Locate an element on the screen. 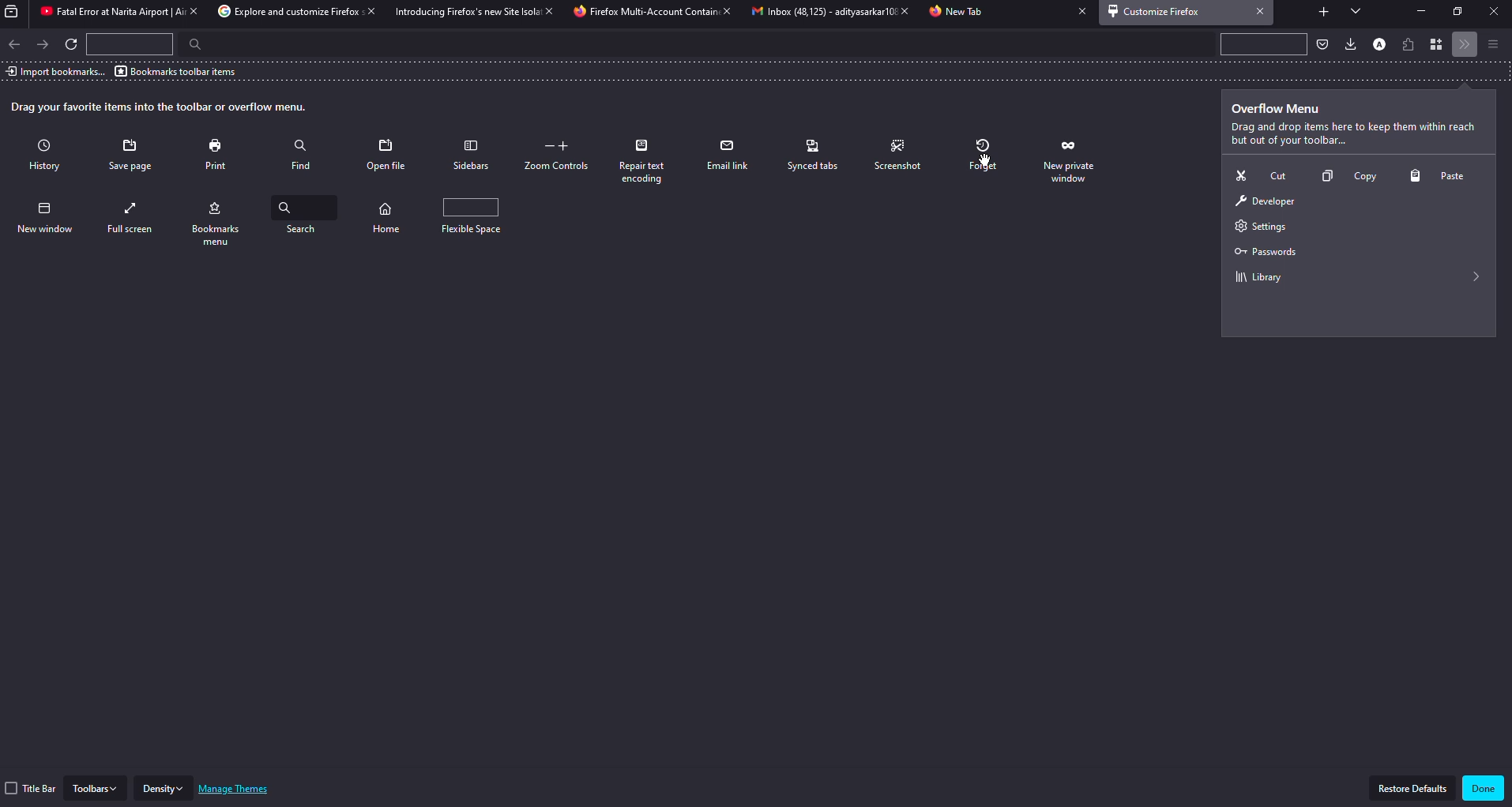  print is located at coordinates (219, 154).